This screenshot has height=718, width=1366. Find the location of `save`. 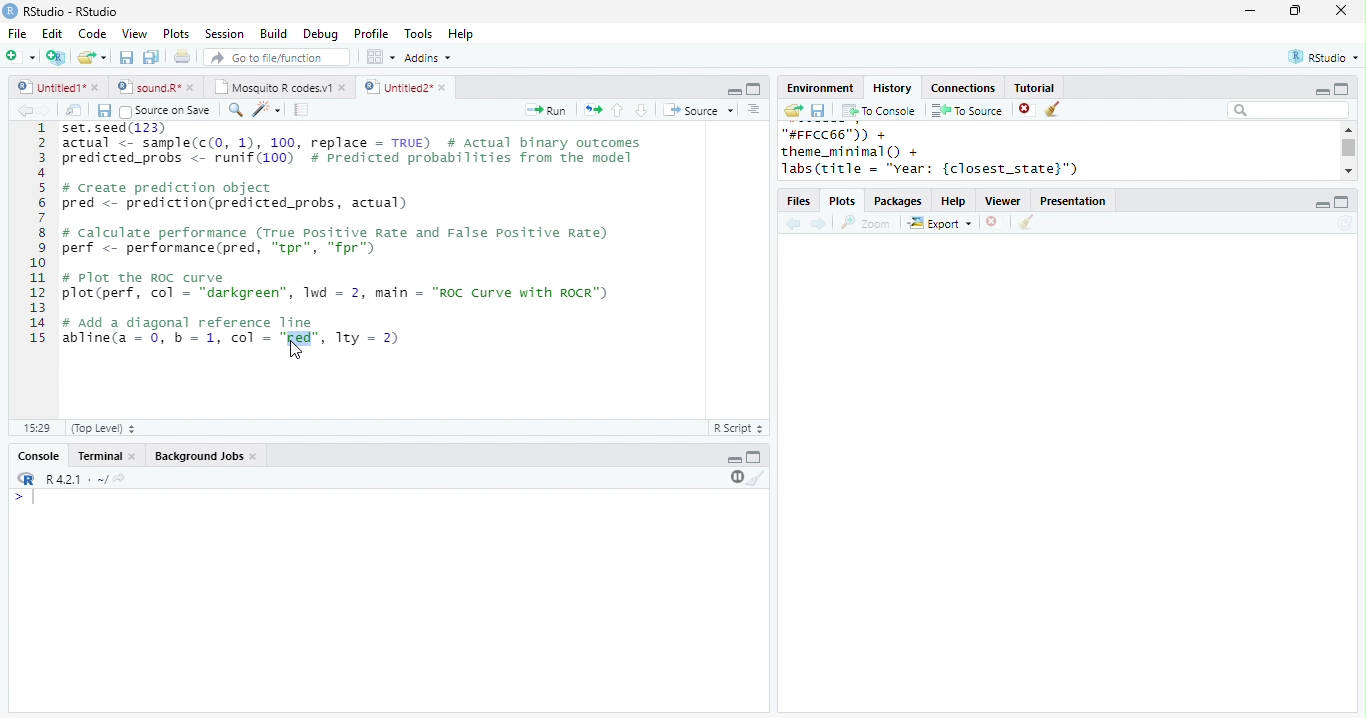

save is located at coordinates (126, 57).